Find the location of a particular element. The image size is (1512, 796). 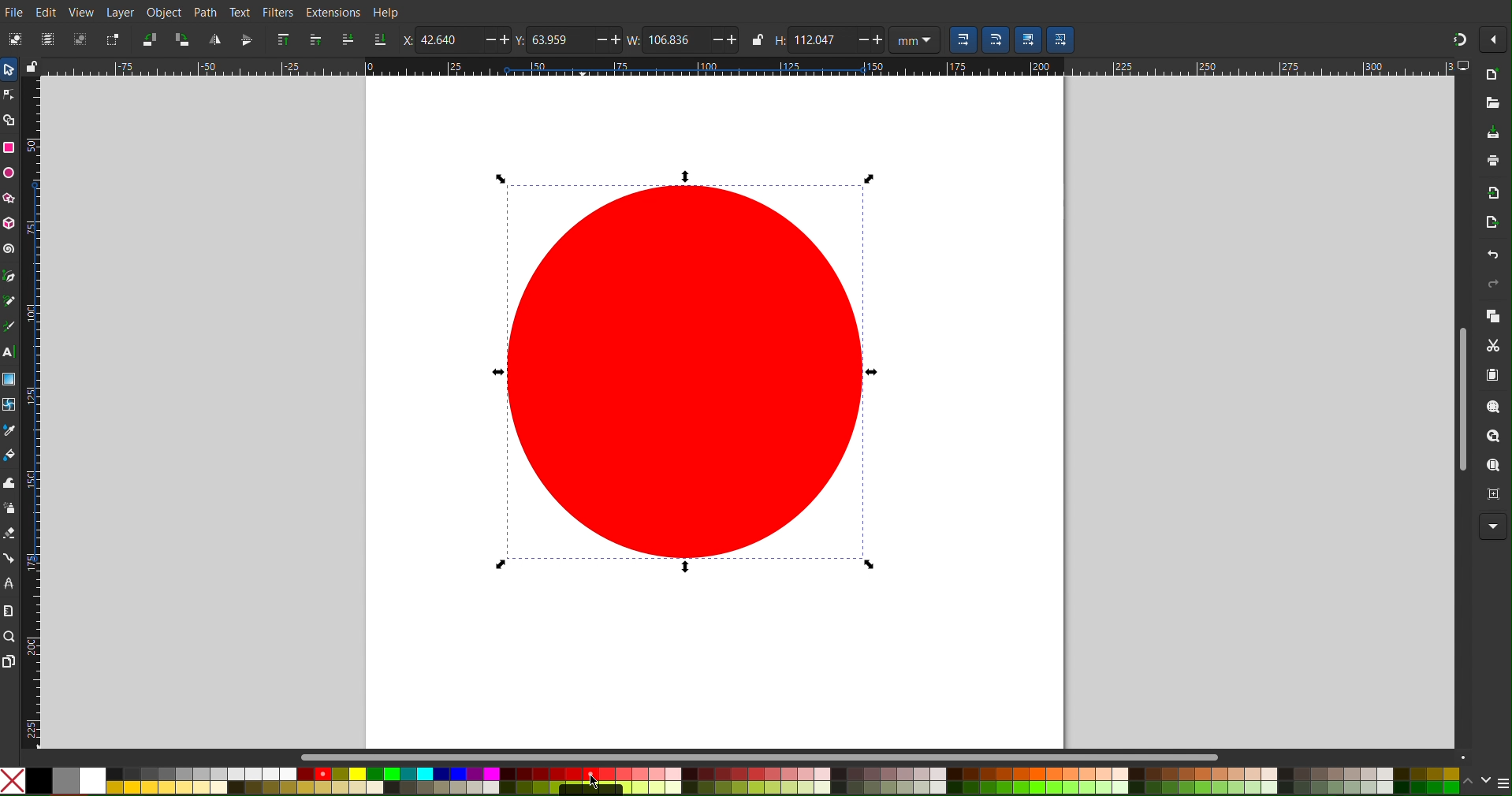

Mesh Tool is located at coordinates (9, 404).